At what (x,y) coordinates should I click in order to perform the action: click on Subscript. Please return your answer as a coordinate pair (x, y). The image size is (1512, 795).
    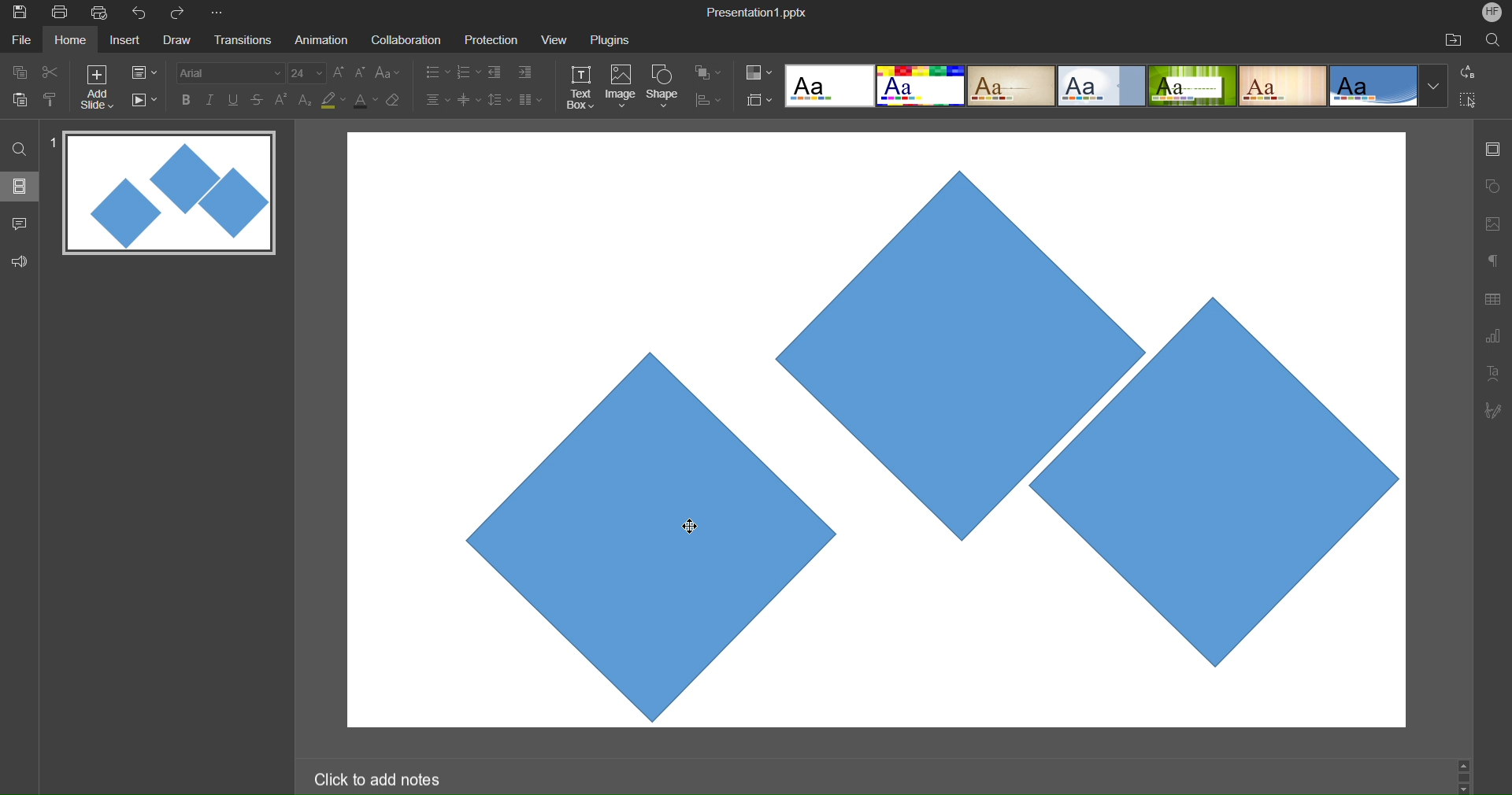
    Looking at the image, I should click on (306, 99).